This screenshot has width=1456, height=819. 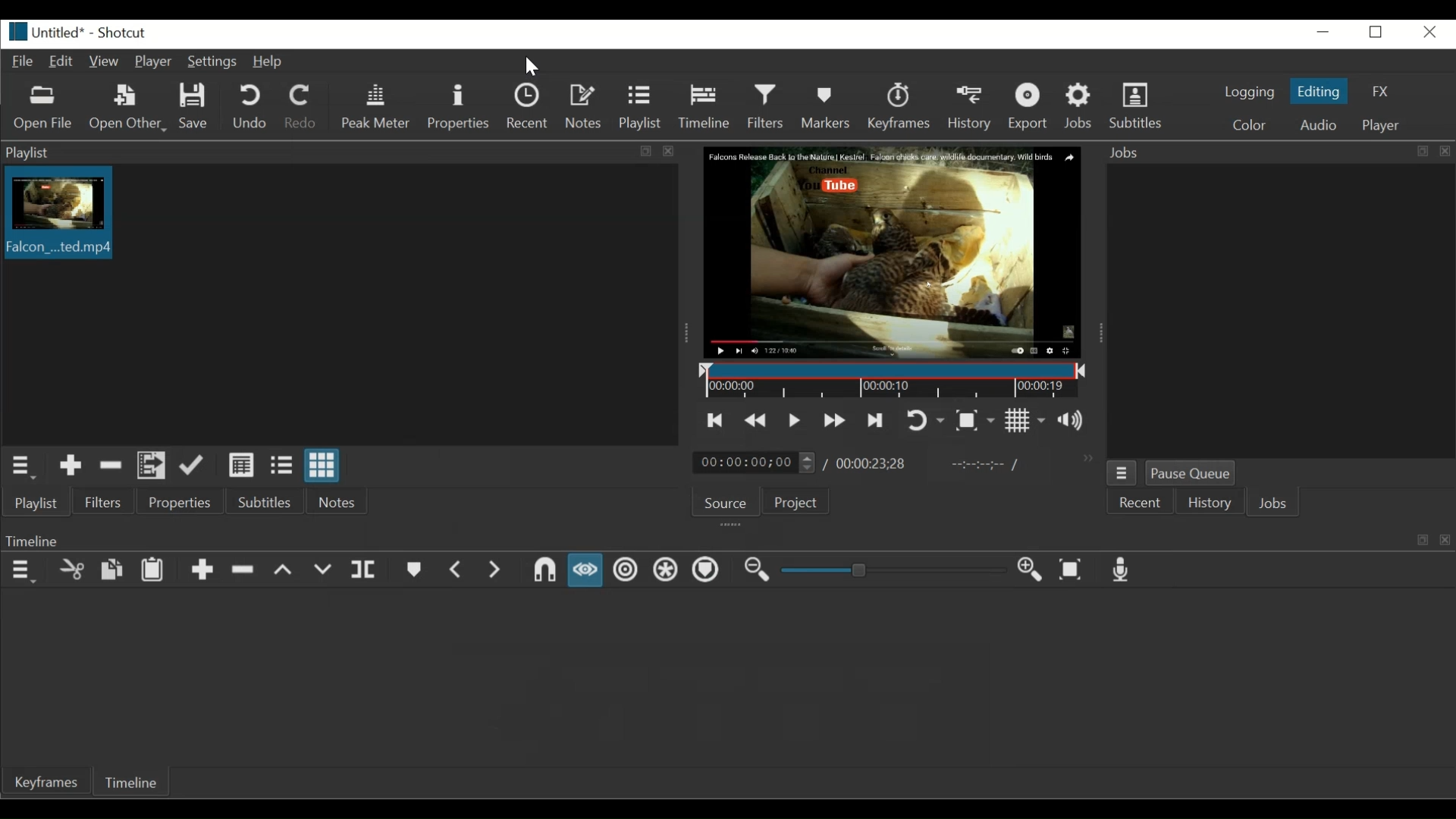 What do you see at coordinates (194, 467) in the screenshot?
I see `Update` at bounding box center [194, 467].